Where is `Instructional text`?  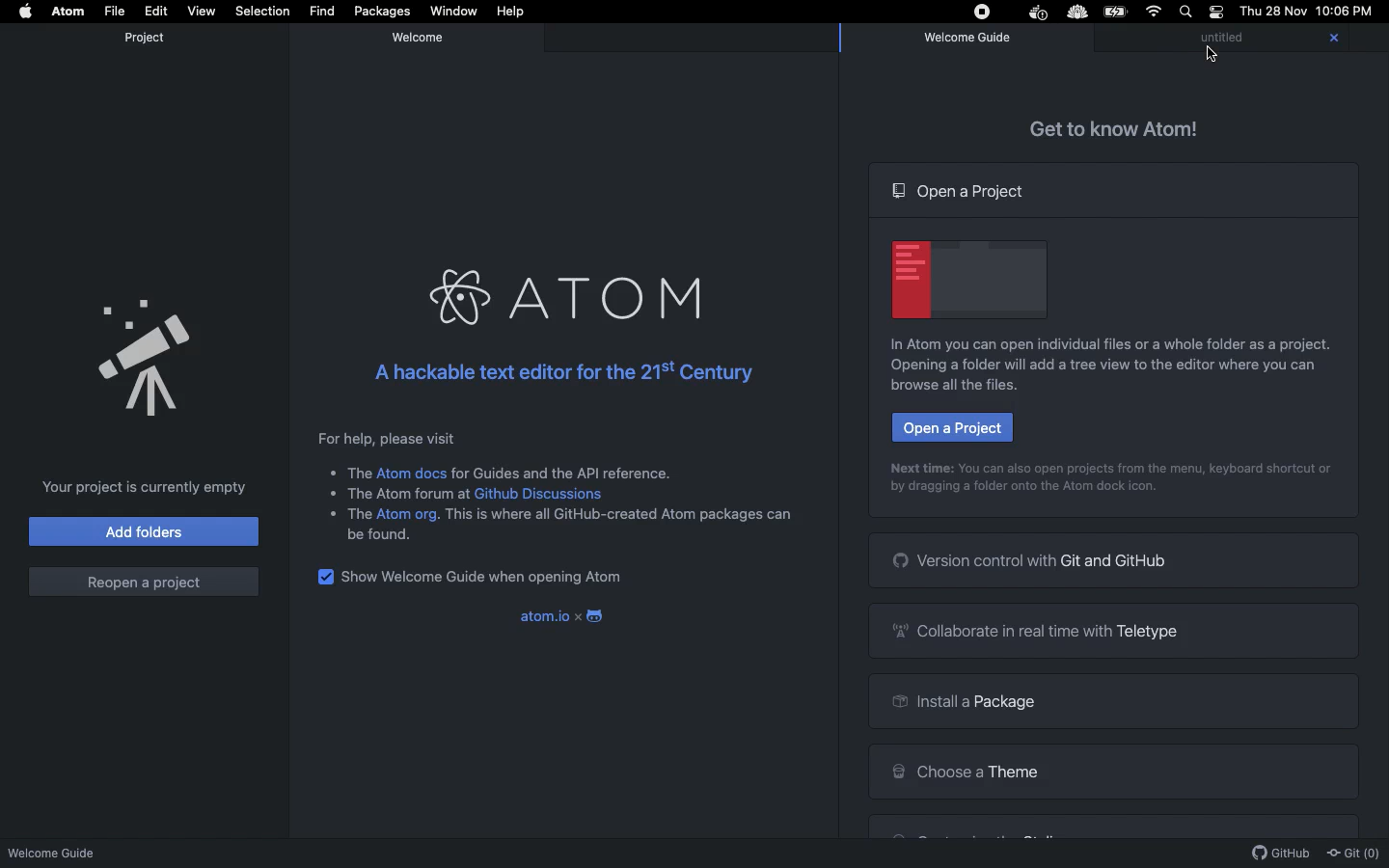
Instructional text is located at coordinates (1110, 464).